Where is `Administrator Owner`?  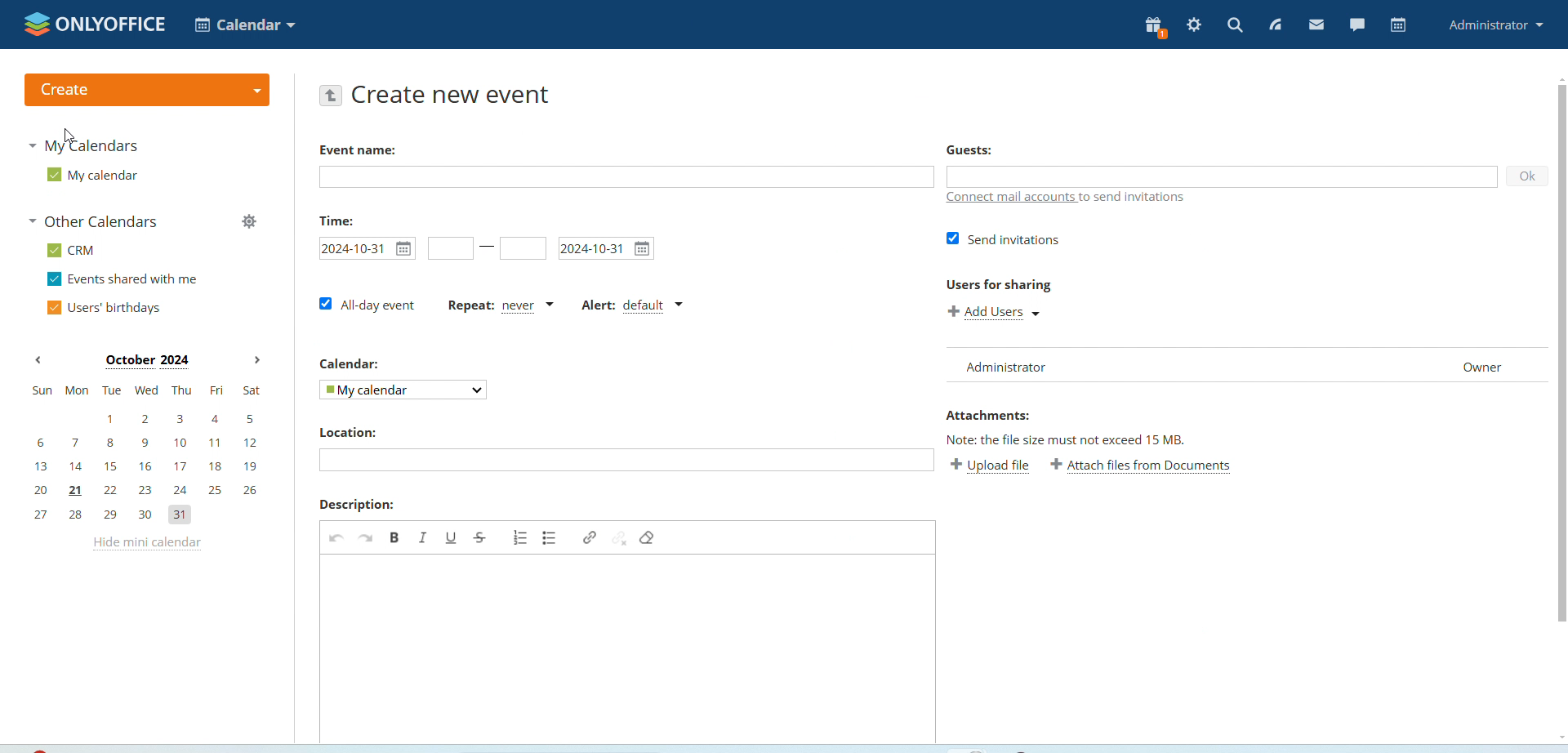 Administrator Owner is located at coordinates (1239, 368).